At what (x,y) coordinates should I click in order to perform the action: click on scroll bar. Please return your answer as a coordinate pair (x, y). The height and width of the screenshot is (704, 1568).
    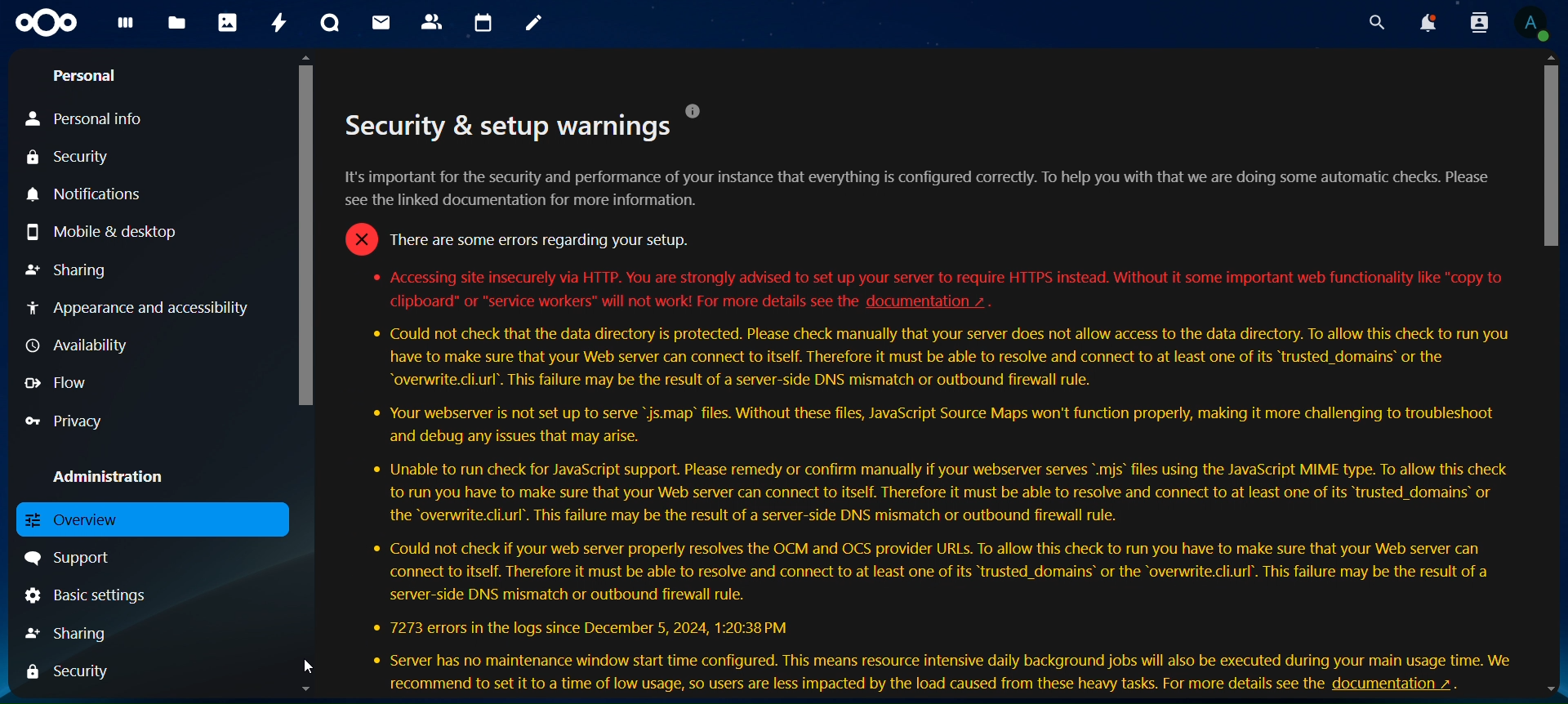
    Looking at the image, I should click on (1548, 160).